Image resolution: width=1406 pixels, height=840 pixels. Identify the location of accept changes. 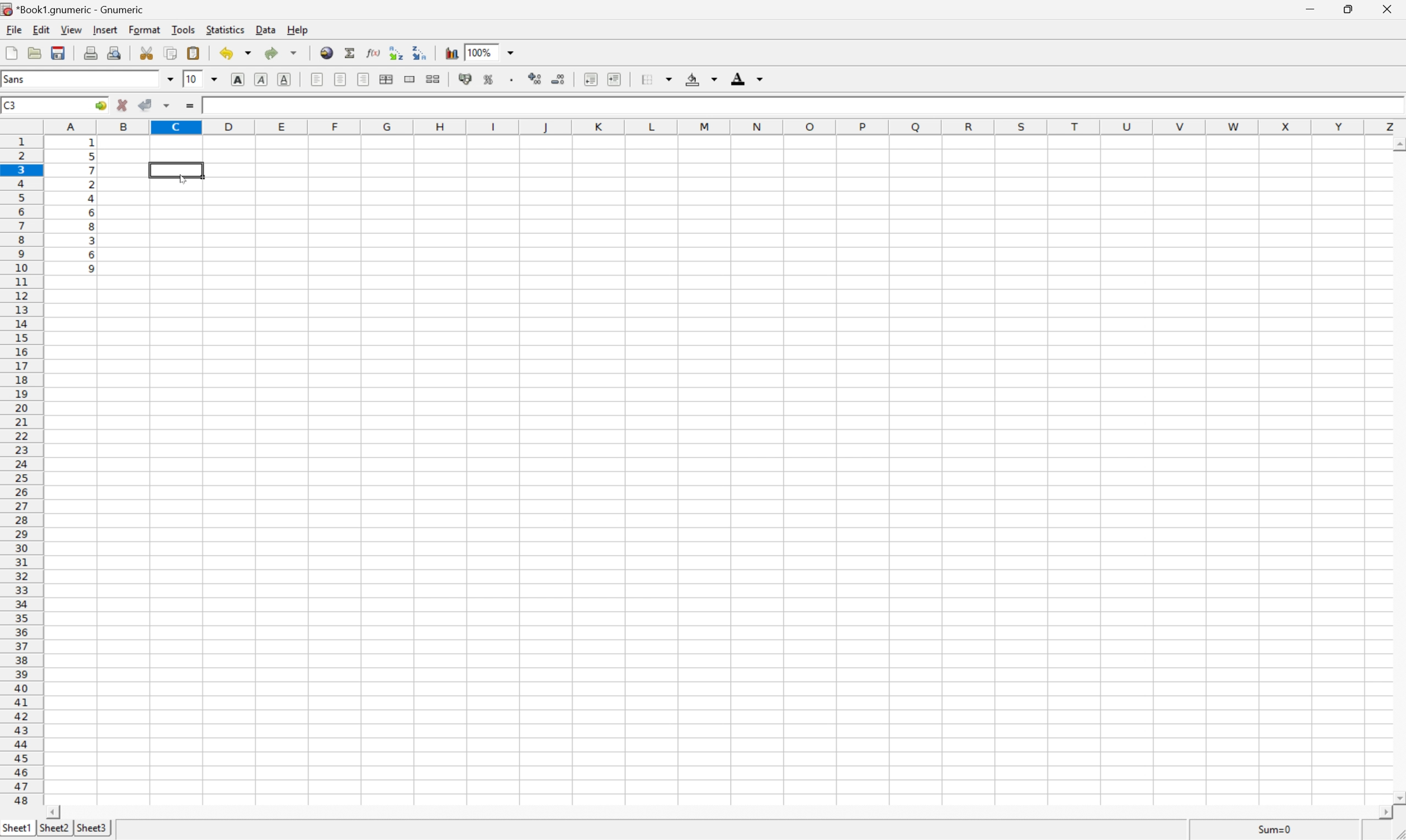
(145, 105).